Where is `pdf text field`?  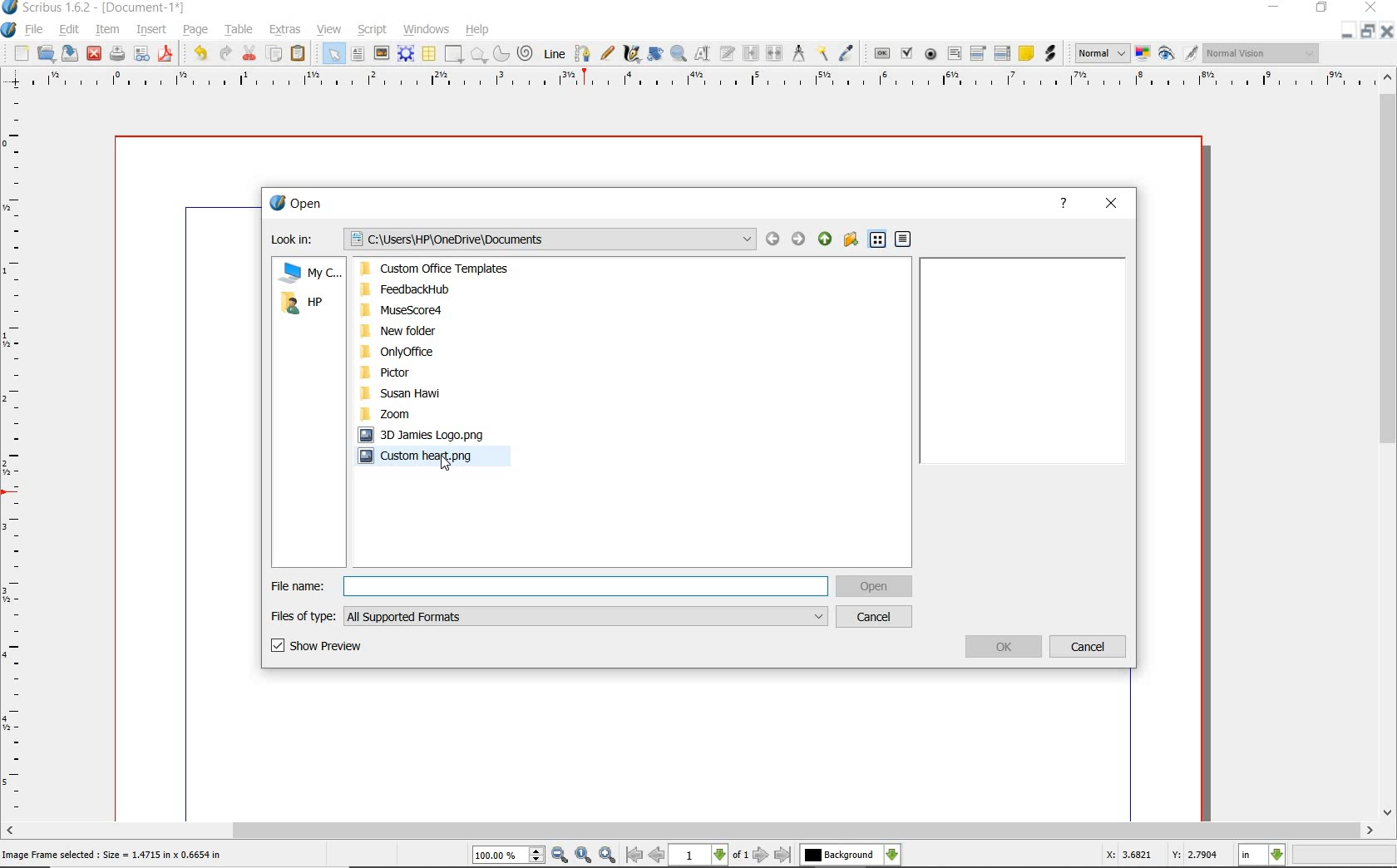
pdf text field is located at coordinates (955, 53).